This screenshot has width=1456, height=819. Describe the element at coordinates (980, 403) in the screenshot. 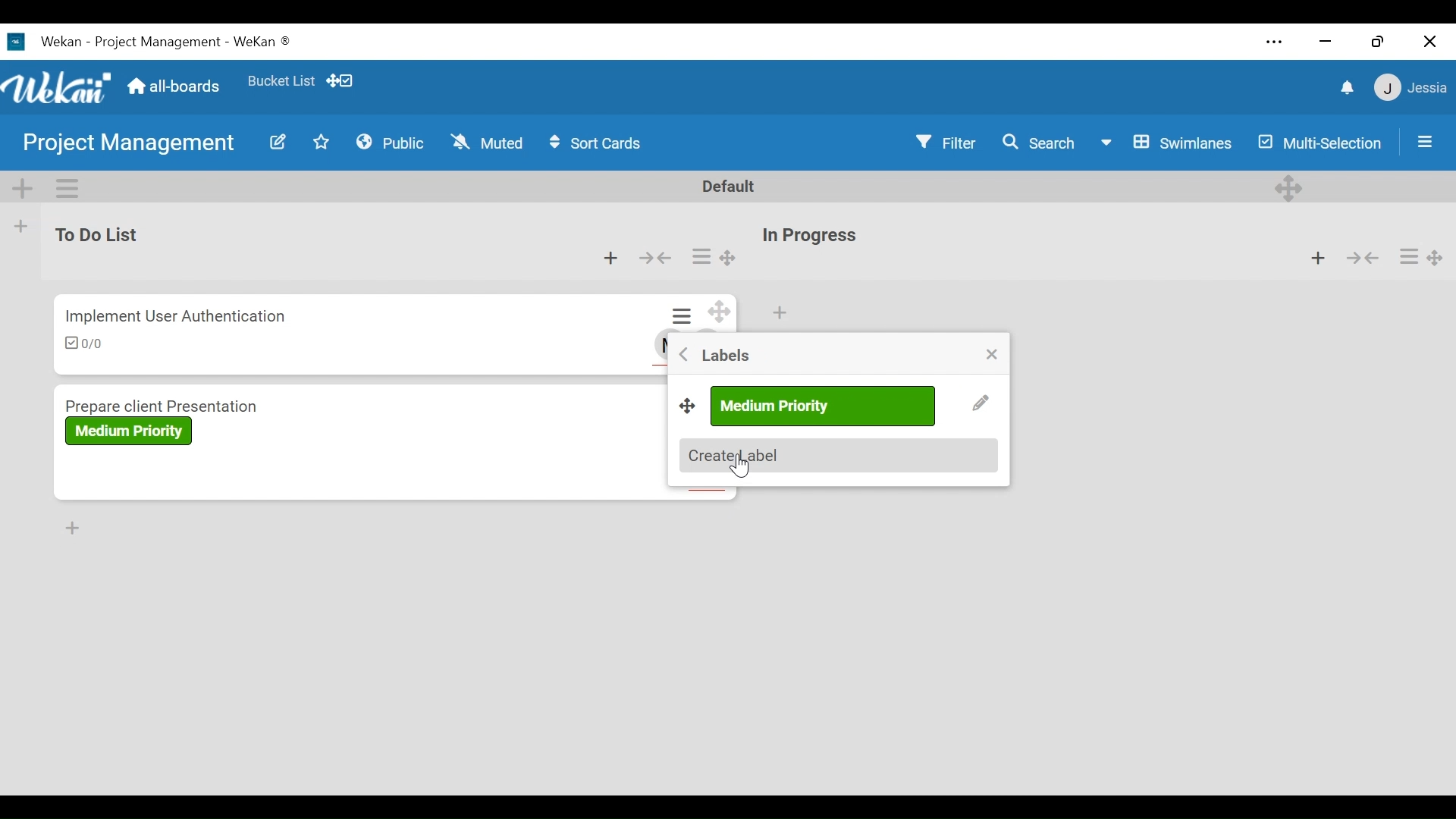

I see `Edit` at that location.